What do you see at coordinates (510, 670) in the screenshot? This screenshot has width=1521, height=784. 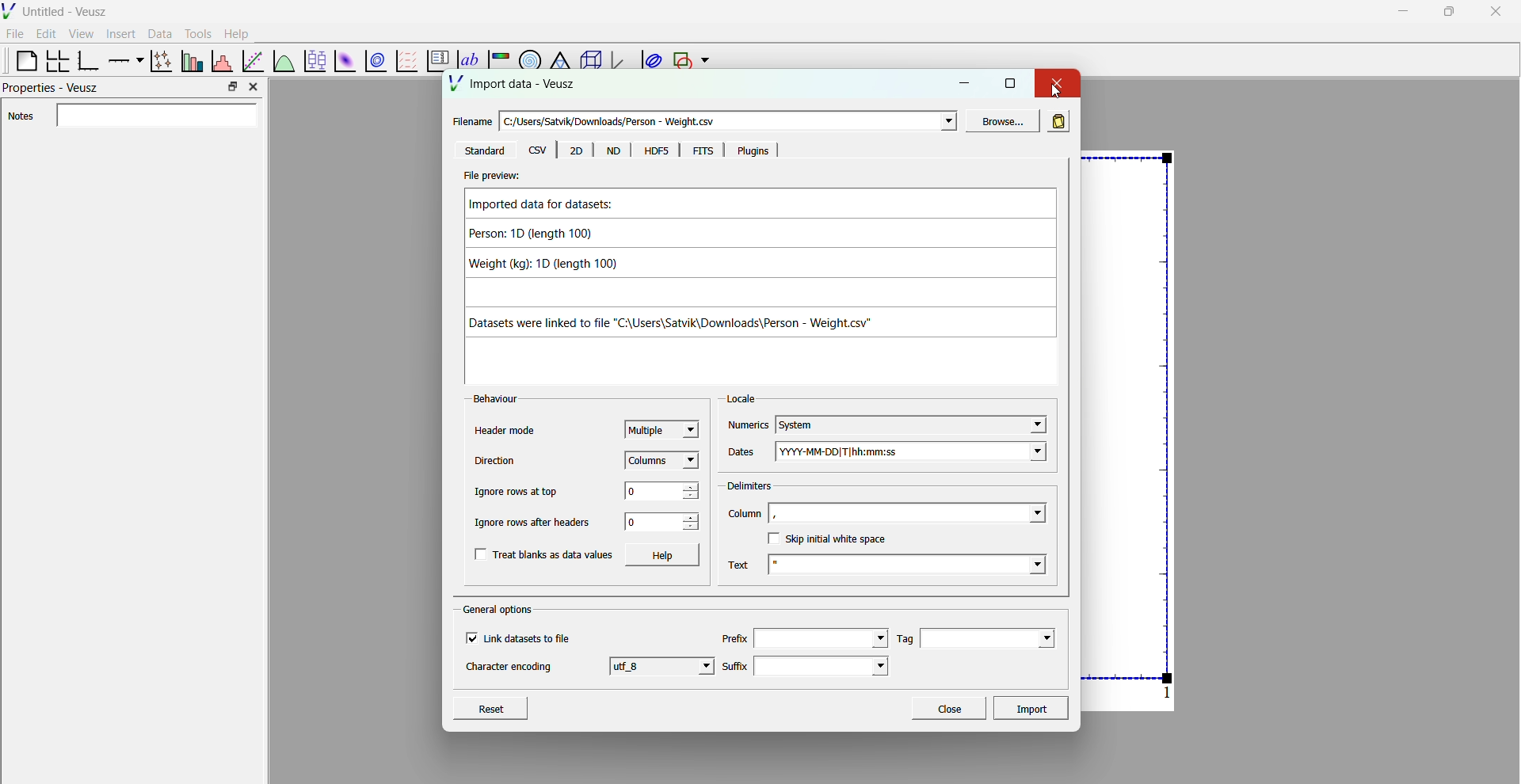 I see `Character encoding` at bounding box center [510, 670].